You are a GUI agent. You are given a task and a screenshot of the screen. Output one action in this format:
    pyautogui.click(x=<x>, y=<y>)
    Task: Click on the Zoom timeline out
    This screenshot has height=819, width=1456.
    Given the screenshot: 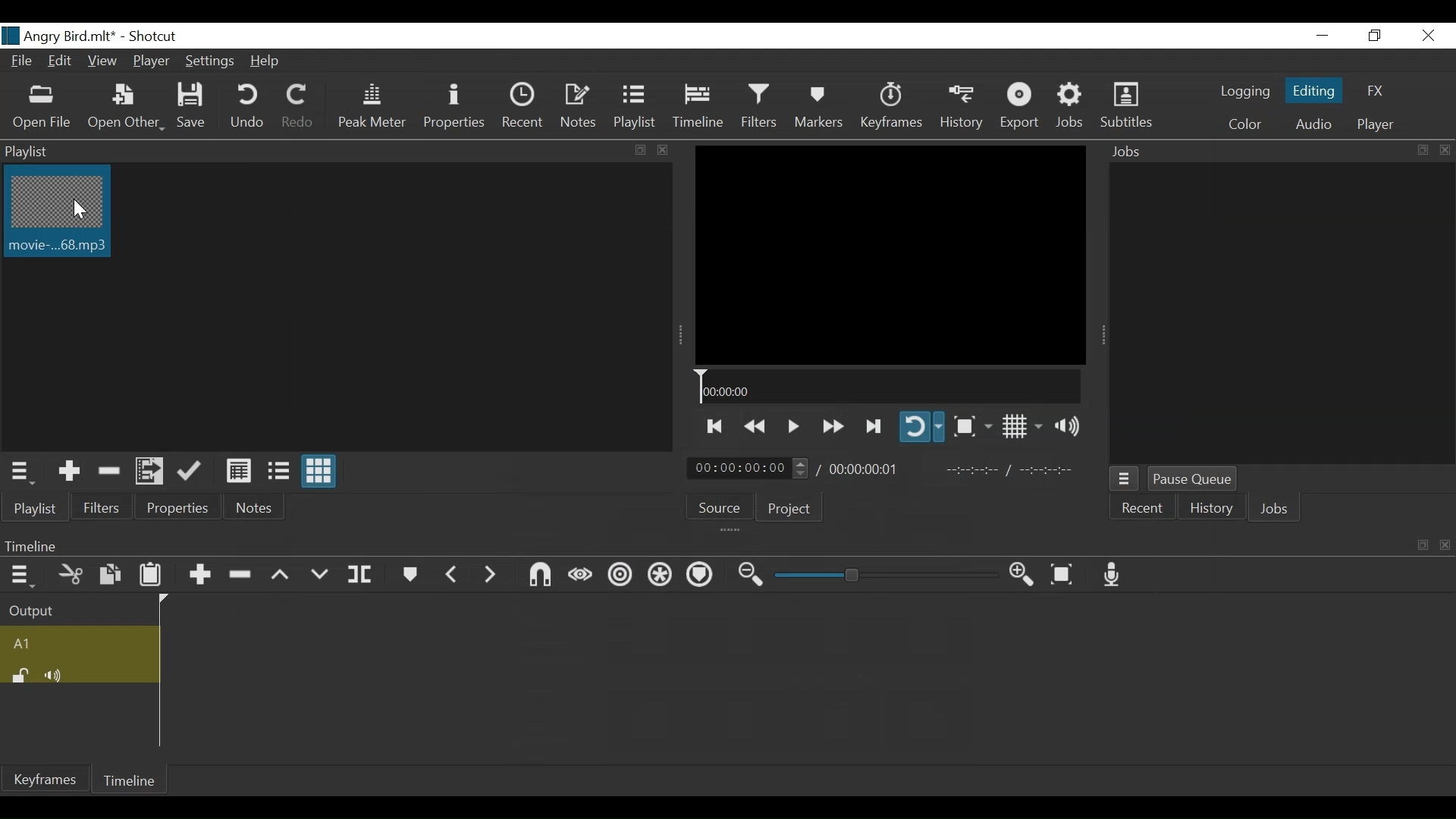 What is the action you would take?
    pyautogui.click(x=748, y=576)
    